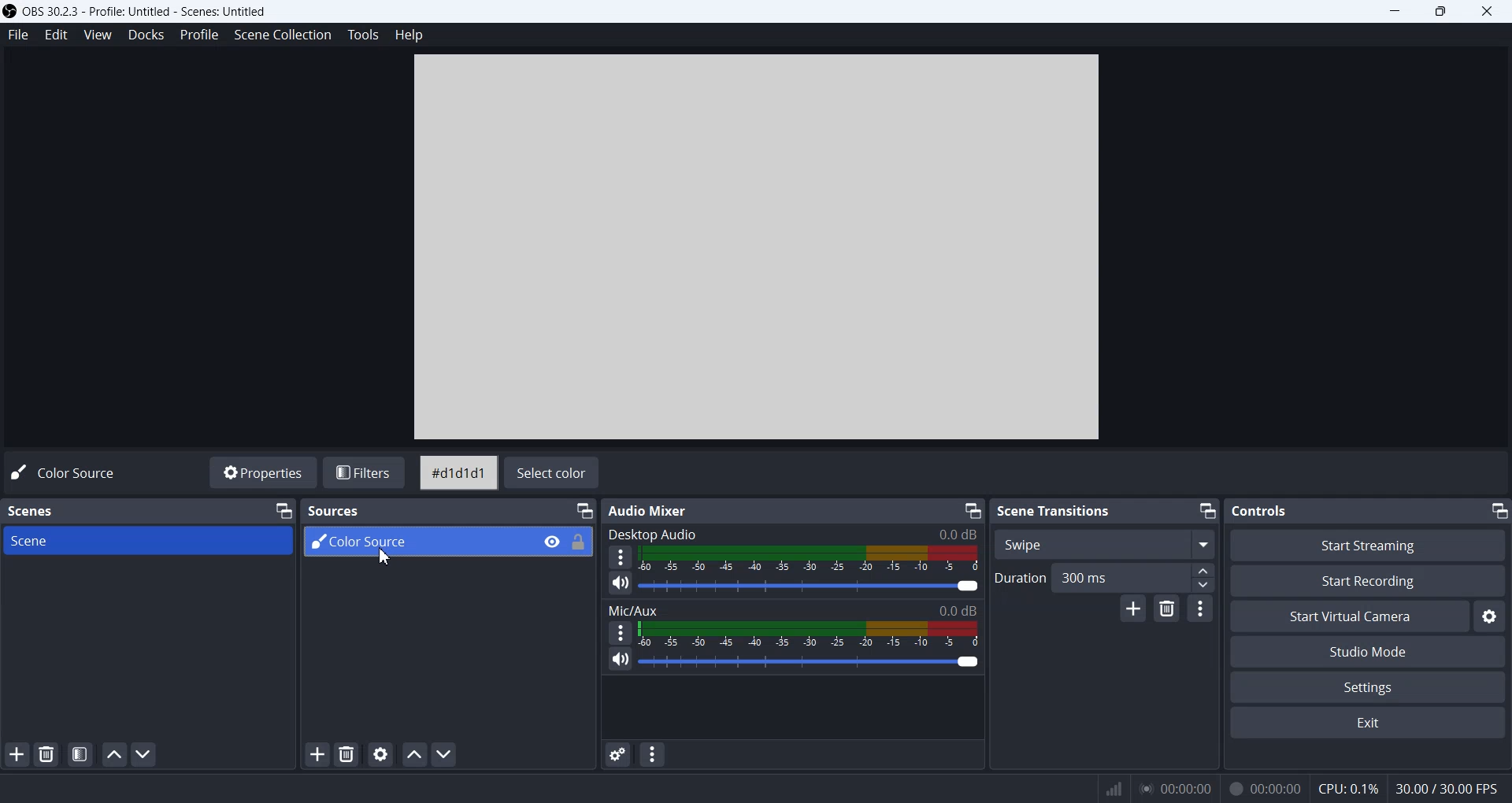  I want to click on Profile, so click(198, 34).